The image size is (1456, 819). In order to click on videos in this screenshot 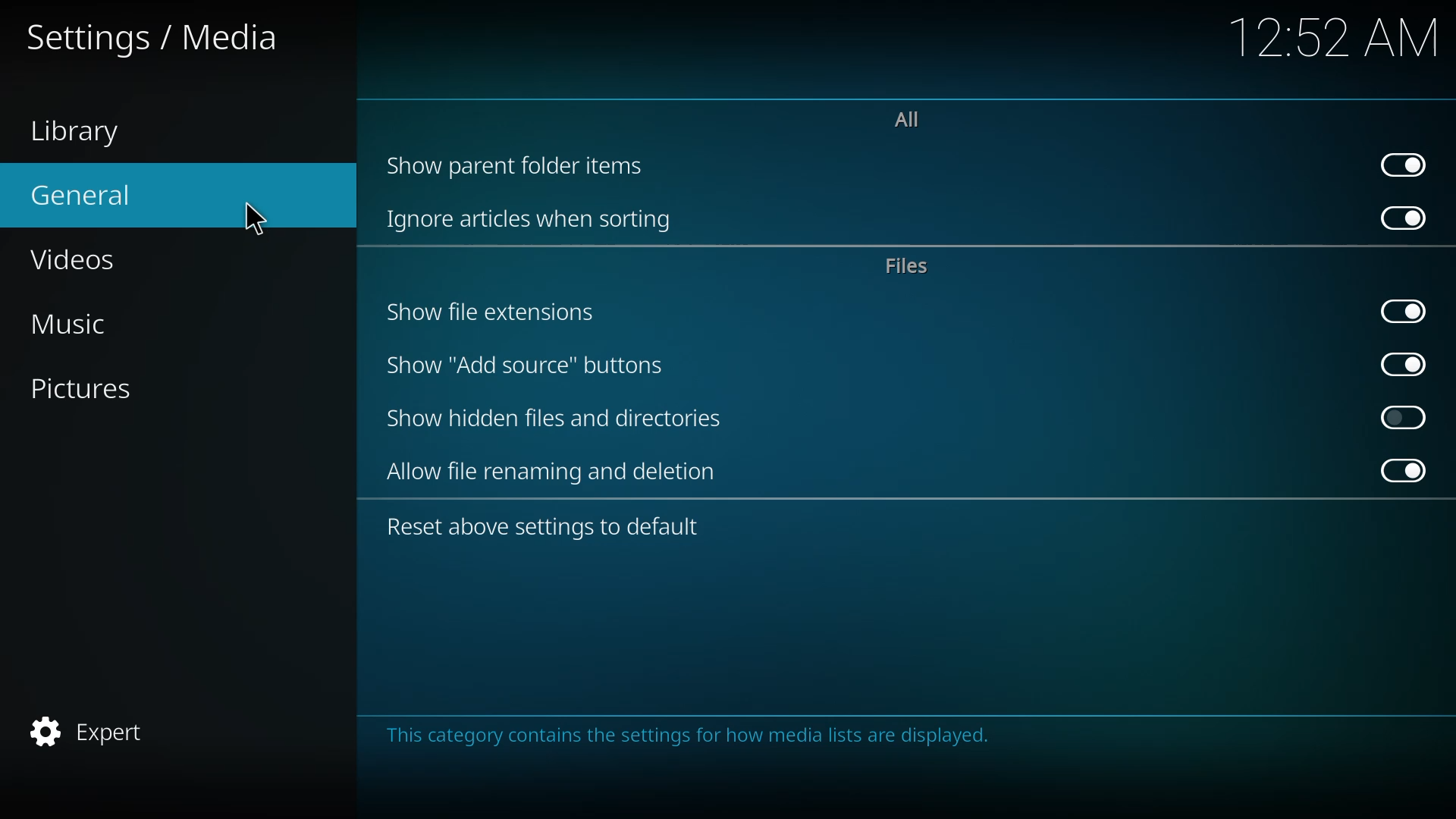, I will do `click(85, 260)`.